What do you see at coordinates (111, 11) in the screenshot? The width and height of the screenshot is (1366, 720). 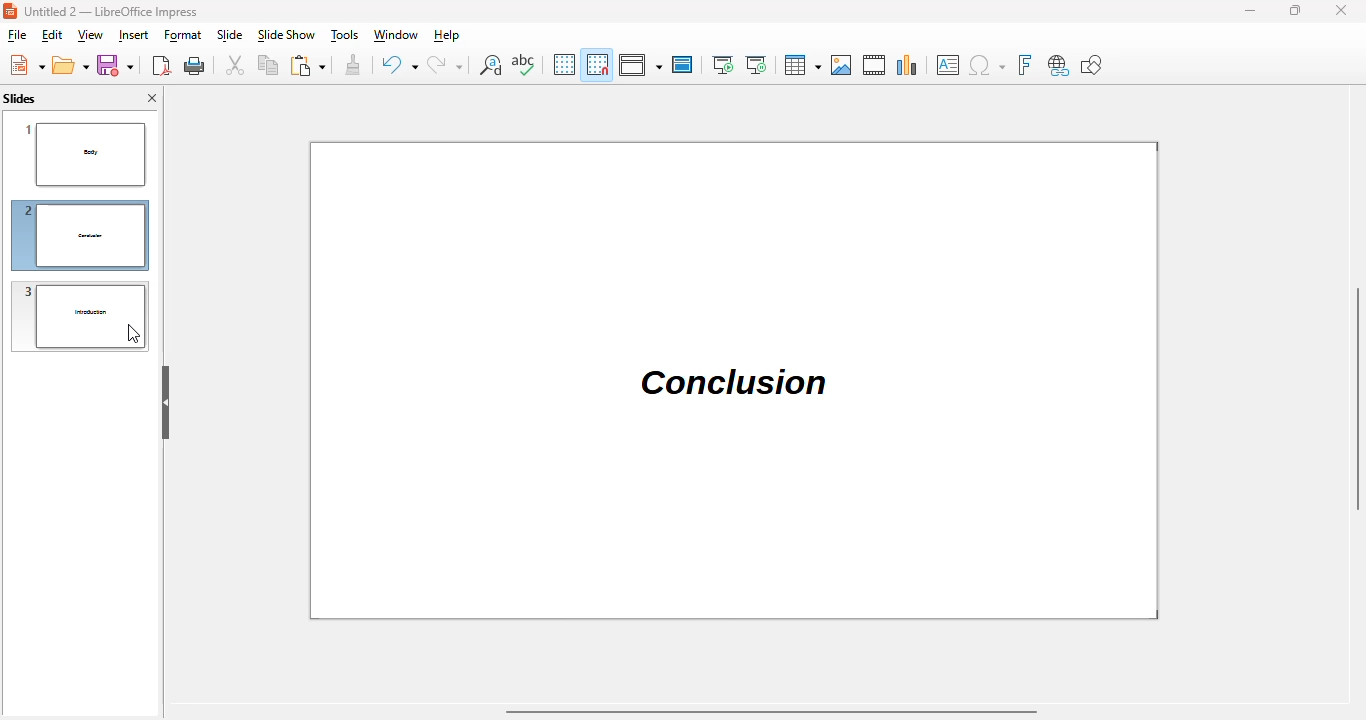 I see `untitled2-libreoffice impress` at bounding box center [111, 11].